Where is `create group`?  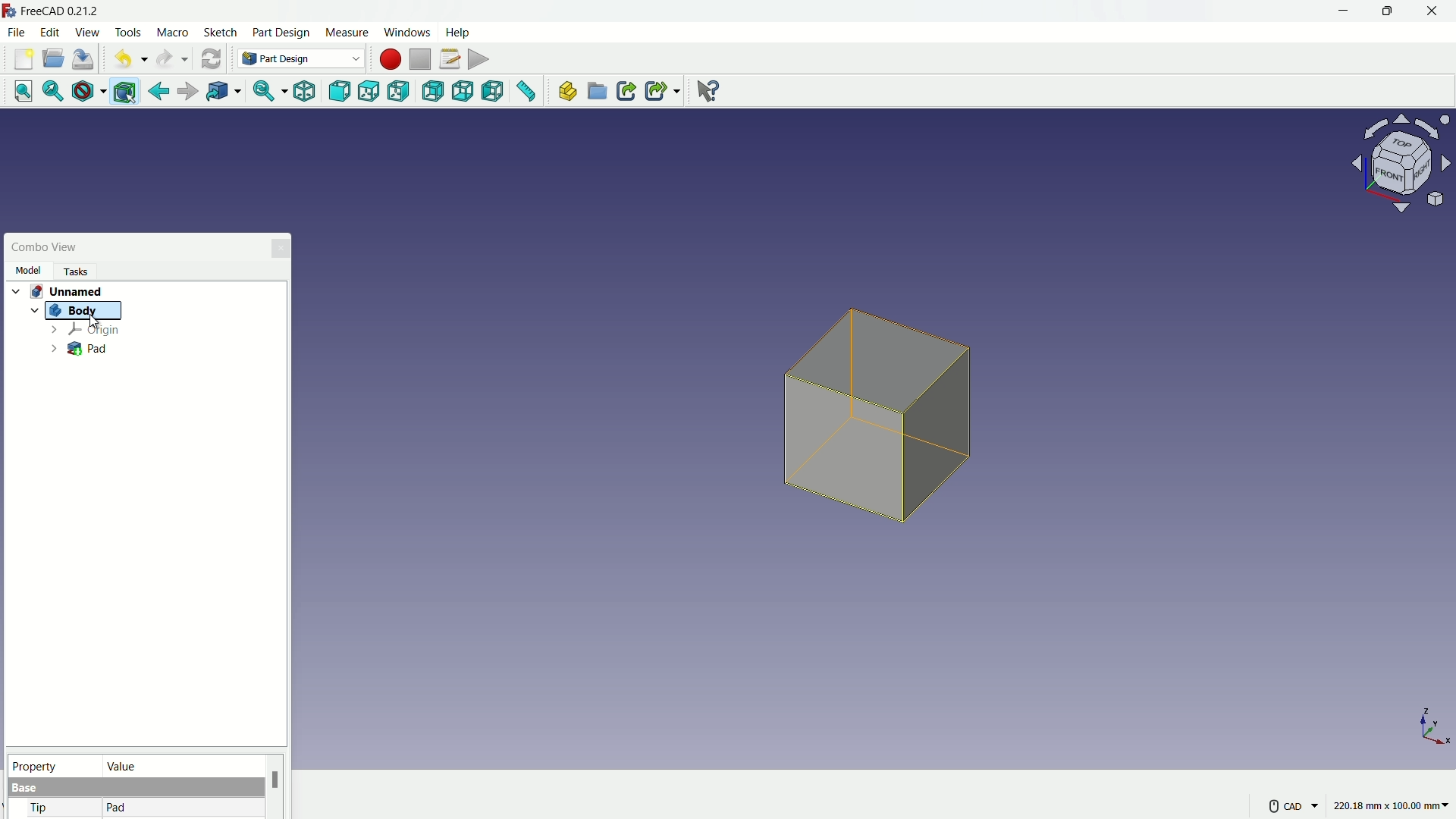
create group is located at coordinates (598, 93).